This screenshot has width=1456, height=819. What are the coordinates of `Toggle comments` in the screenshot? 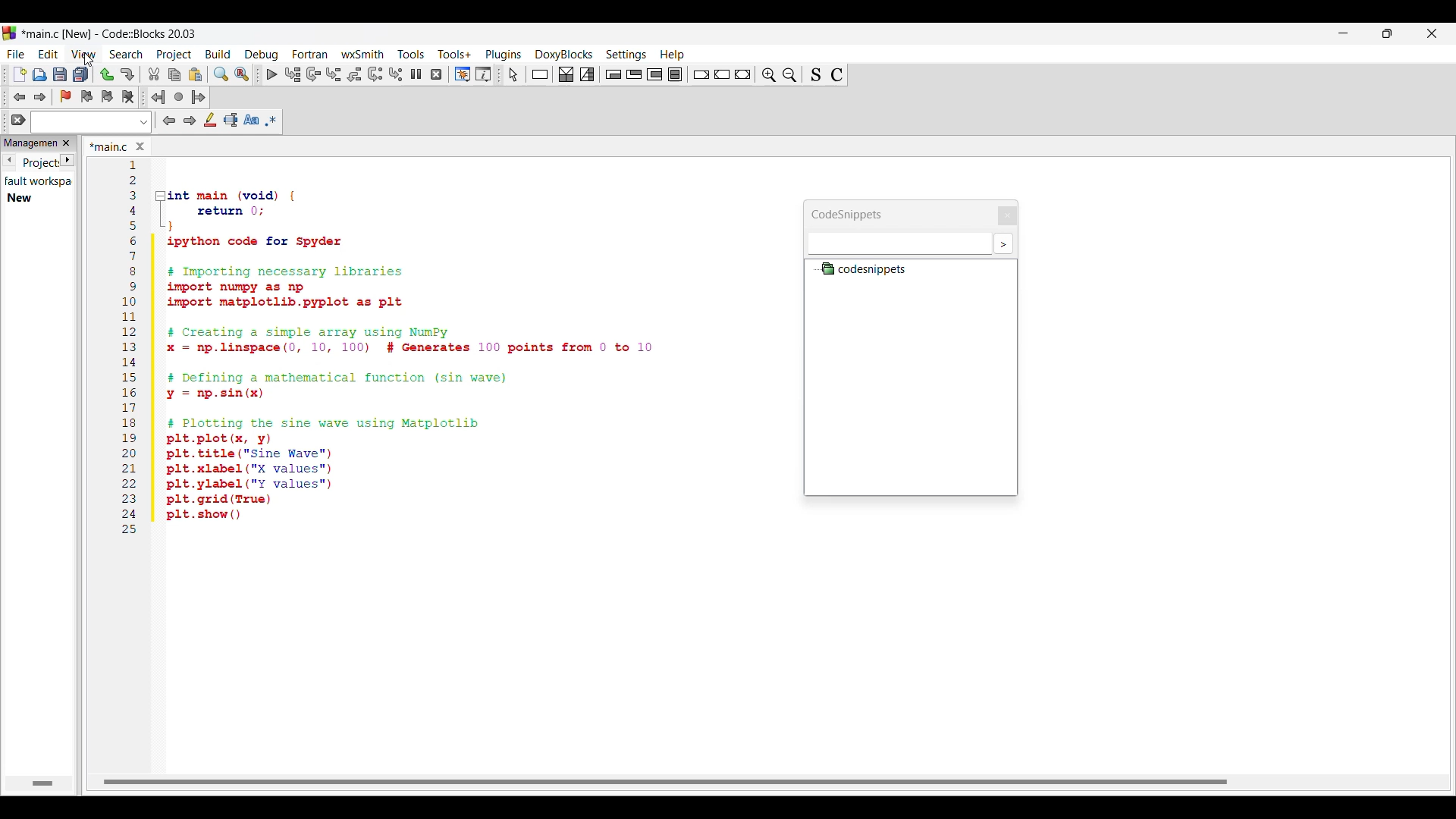 It's located at (837, 74).